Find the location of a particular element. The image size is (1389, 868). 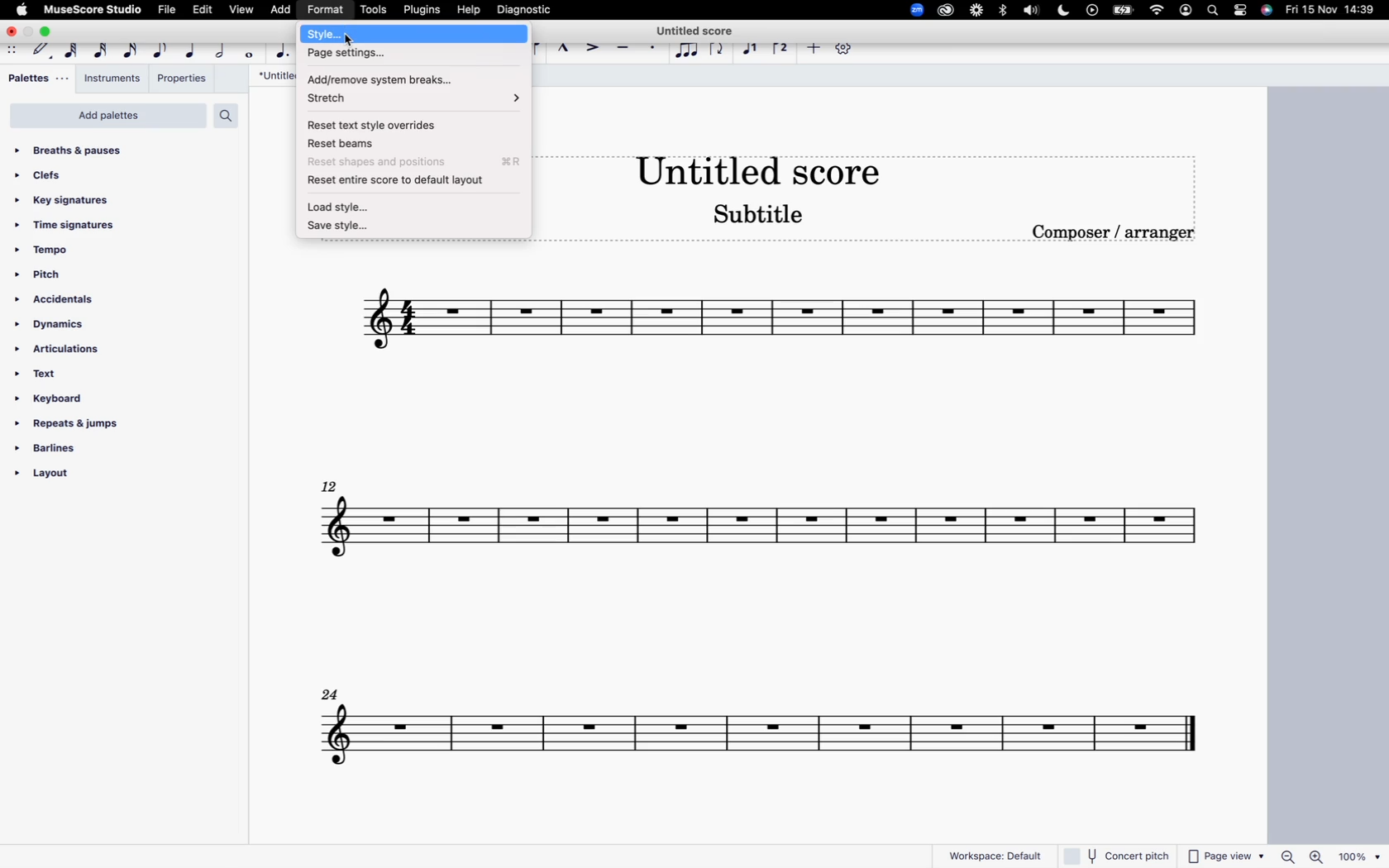

reset entire score to default layout is located at coordinates (408, 180).